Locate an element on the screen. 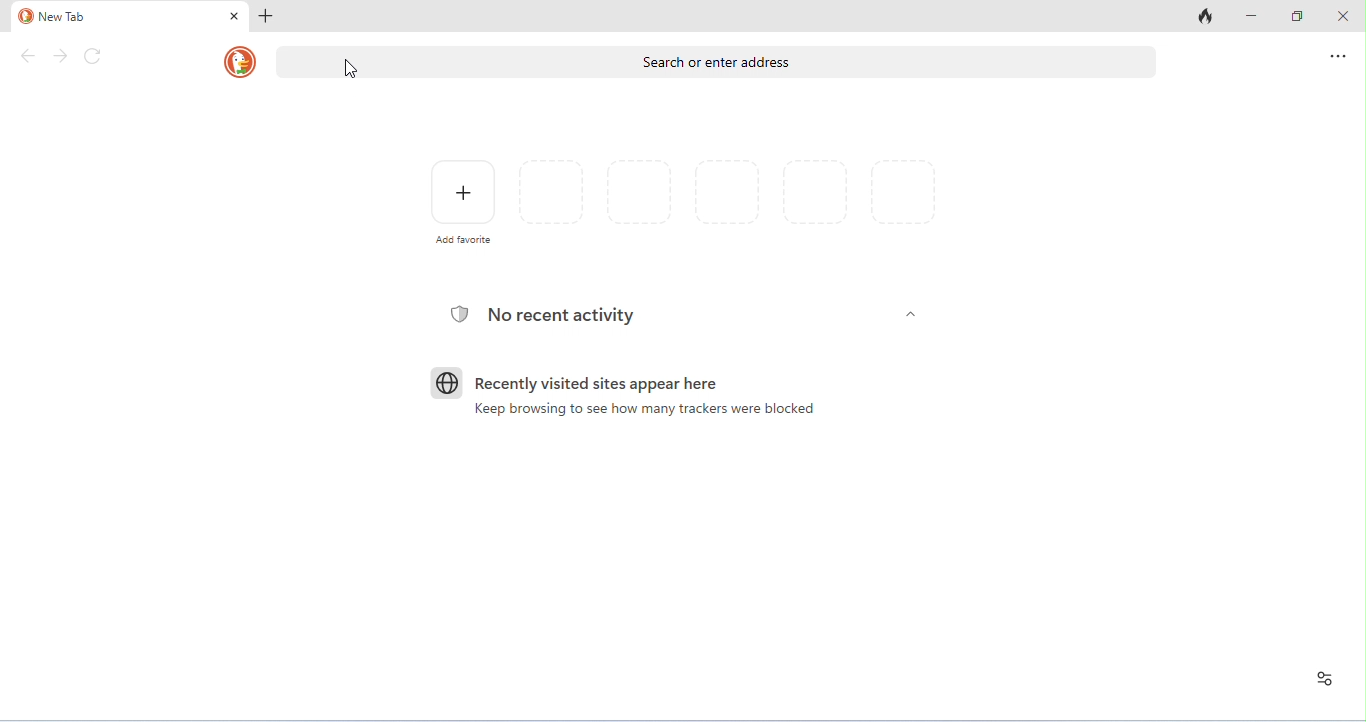 The image size is (1366, 722). send feedback and more is located at coordinates (1338, 56).